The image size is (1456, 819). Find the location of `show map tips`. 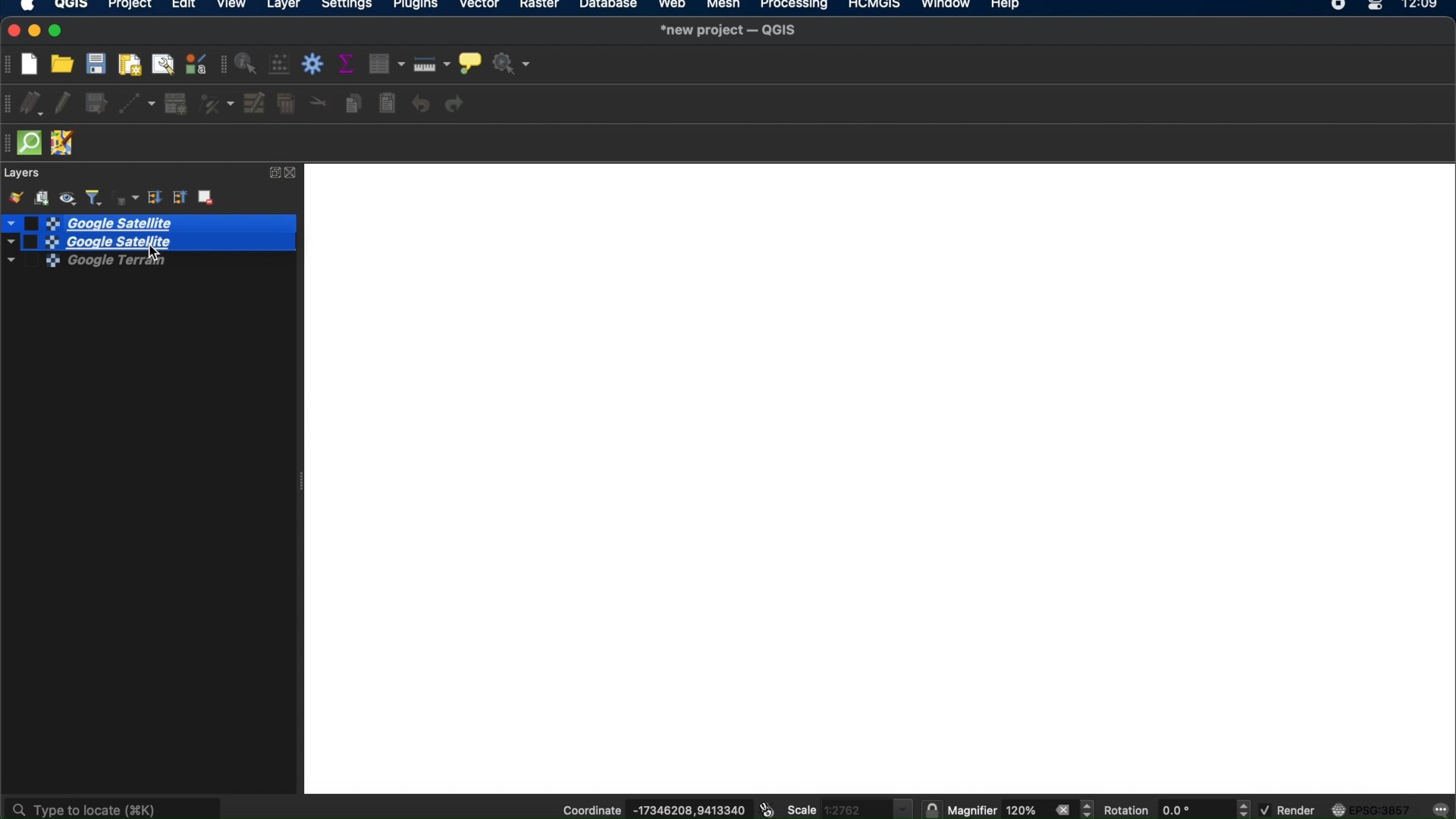

show map tips is located at coordinates (469, 61).